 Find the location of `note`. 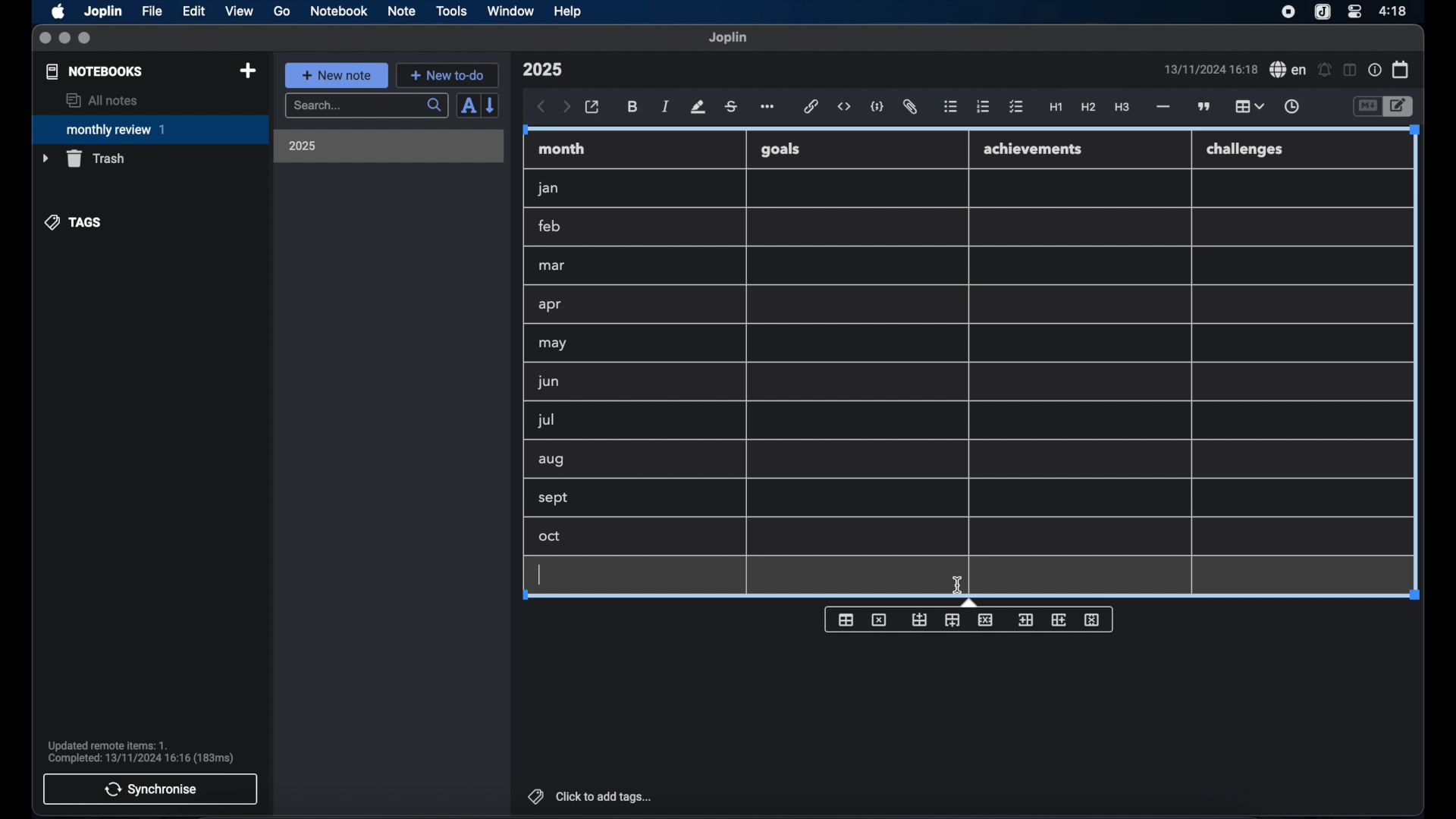

note is located at coordinates (402, 11).